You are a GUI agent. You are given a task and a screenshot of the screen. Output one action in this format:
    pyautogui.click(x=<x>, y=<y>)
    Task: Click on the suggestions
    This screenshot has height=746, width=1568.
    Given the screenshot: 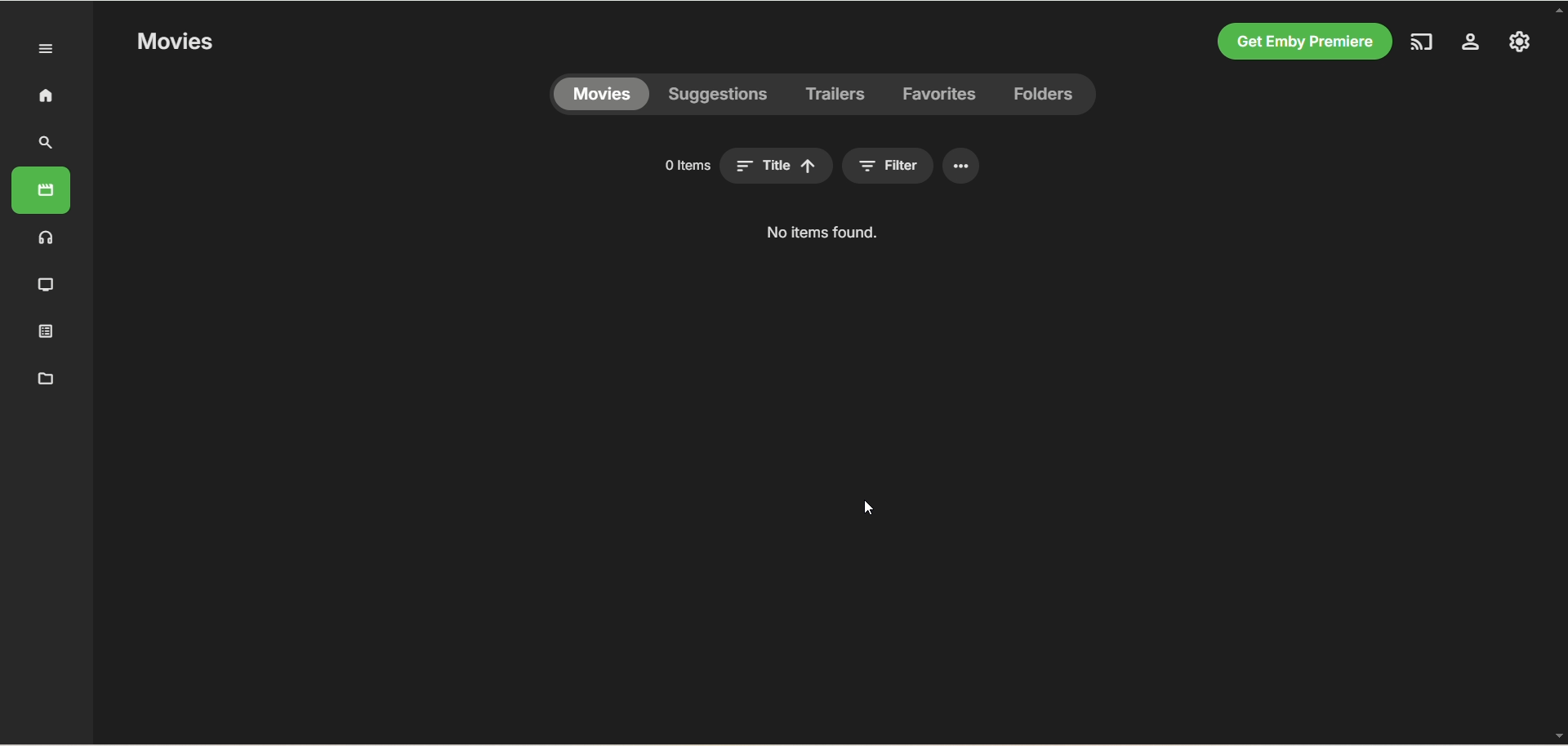 What is the action you would take?
    pyautogui.click(x=719, y=95)
    